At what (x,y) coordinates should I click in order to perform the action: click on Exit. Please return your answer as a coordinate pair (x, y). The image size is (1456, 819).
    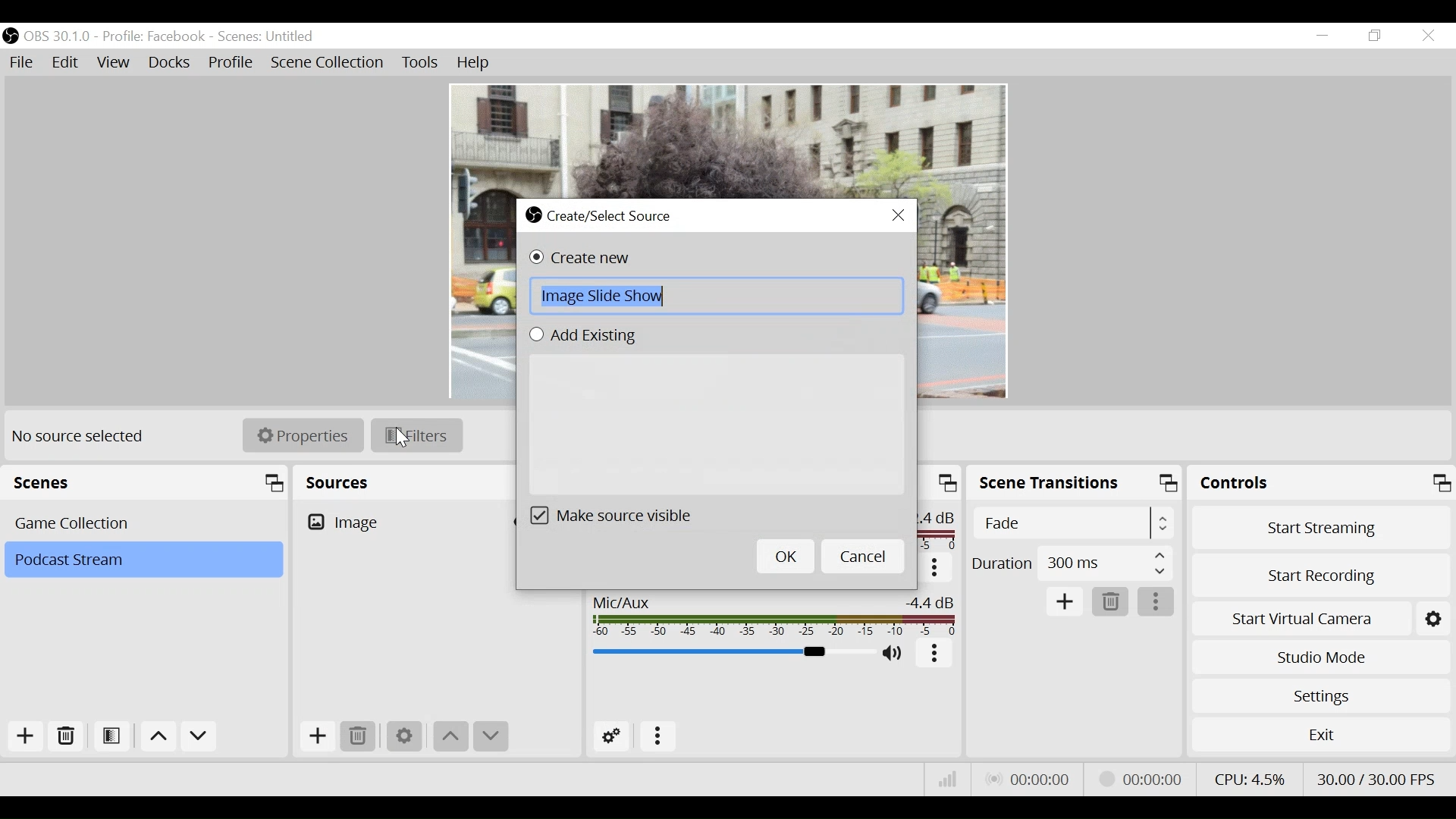
    Looking at the image, I should click on (1321, 738).